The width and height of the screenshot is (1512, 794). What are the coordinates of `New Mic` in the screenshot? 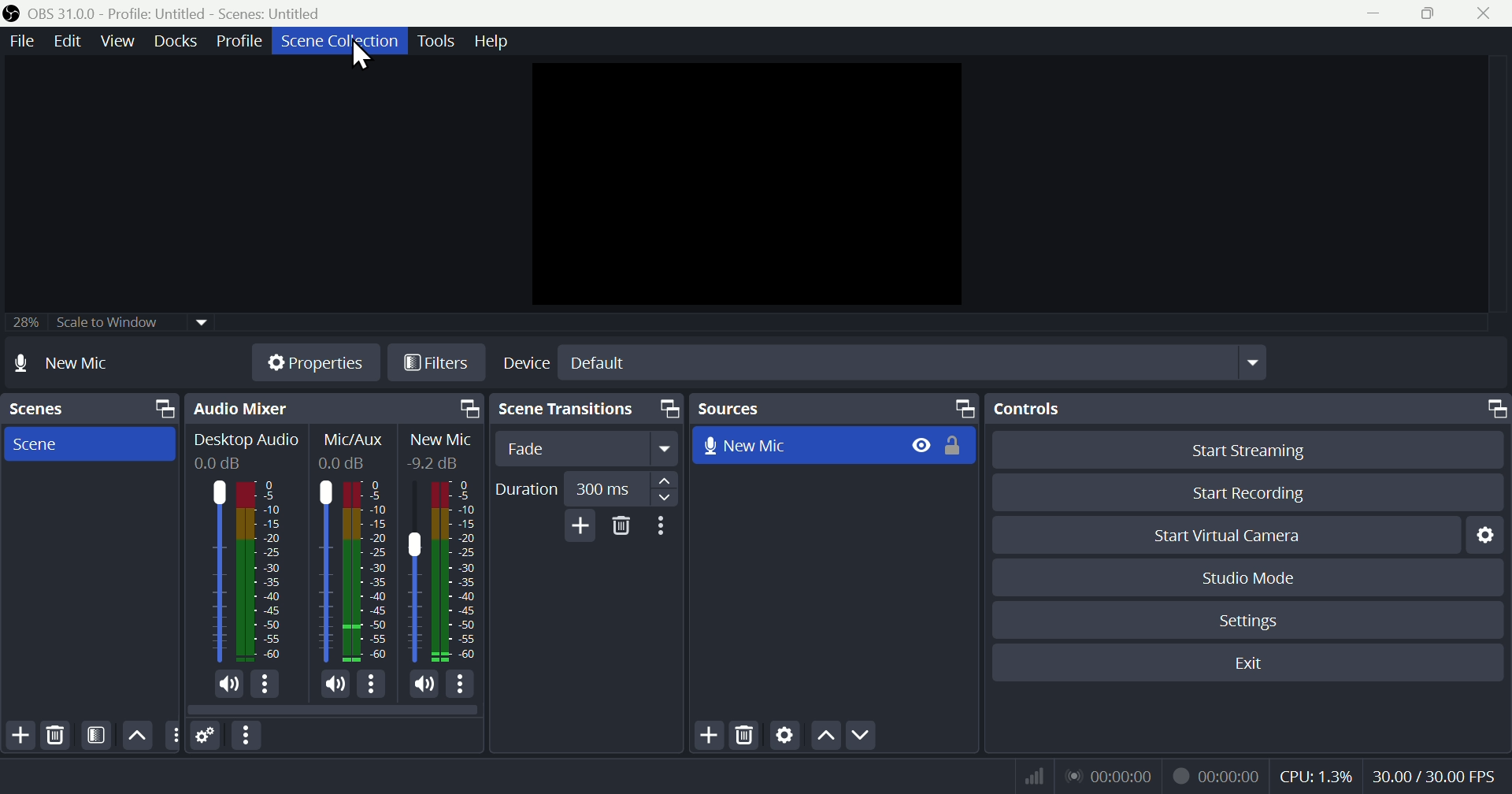 It's located at (416, 573).